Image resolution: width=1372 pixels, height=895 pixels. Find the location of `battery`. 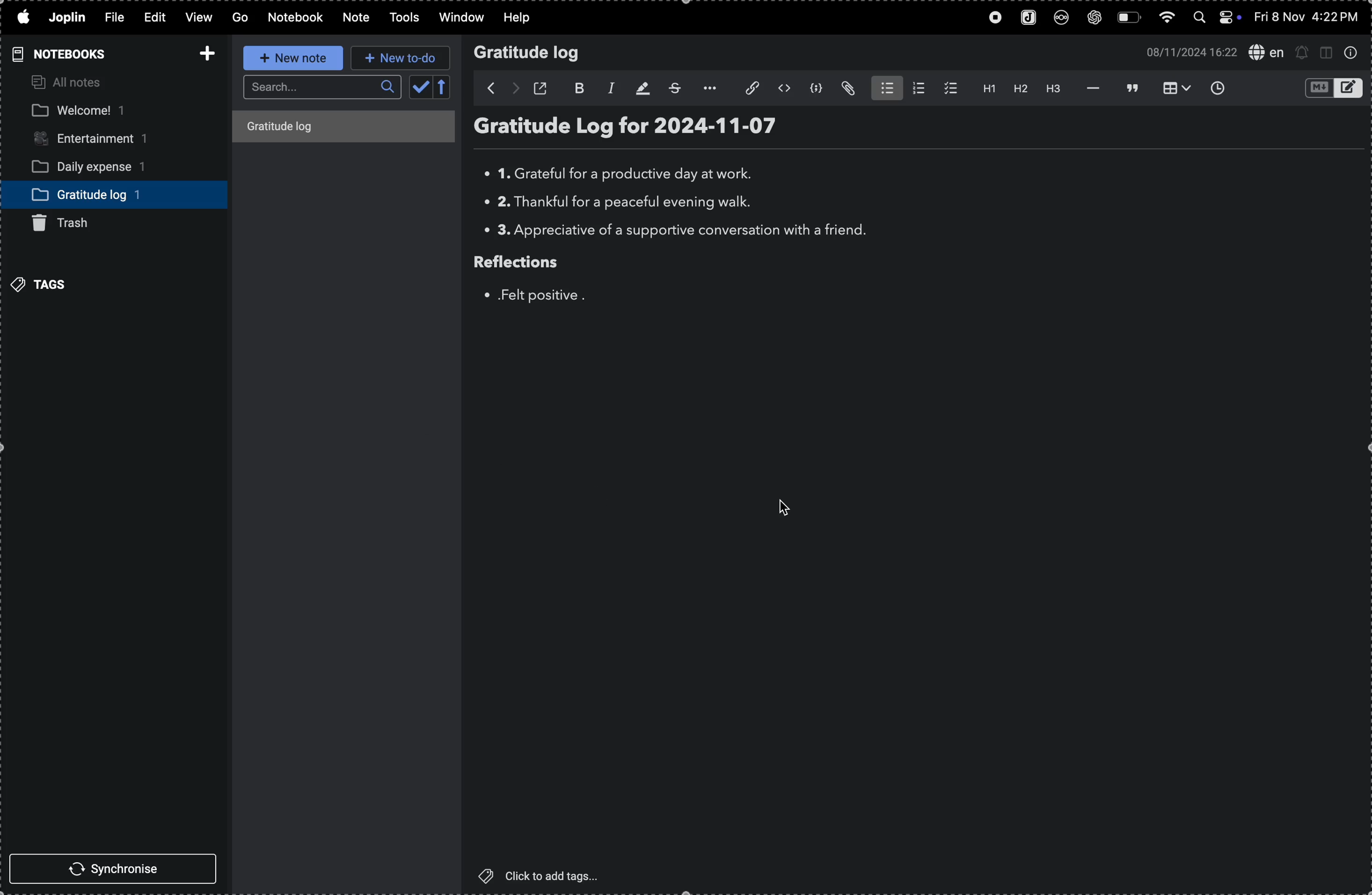

battery is located at coordinates (1128, 17).